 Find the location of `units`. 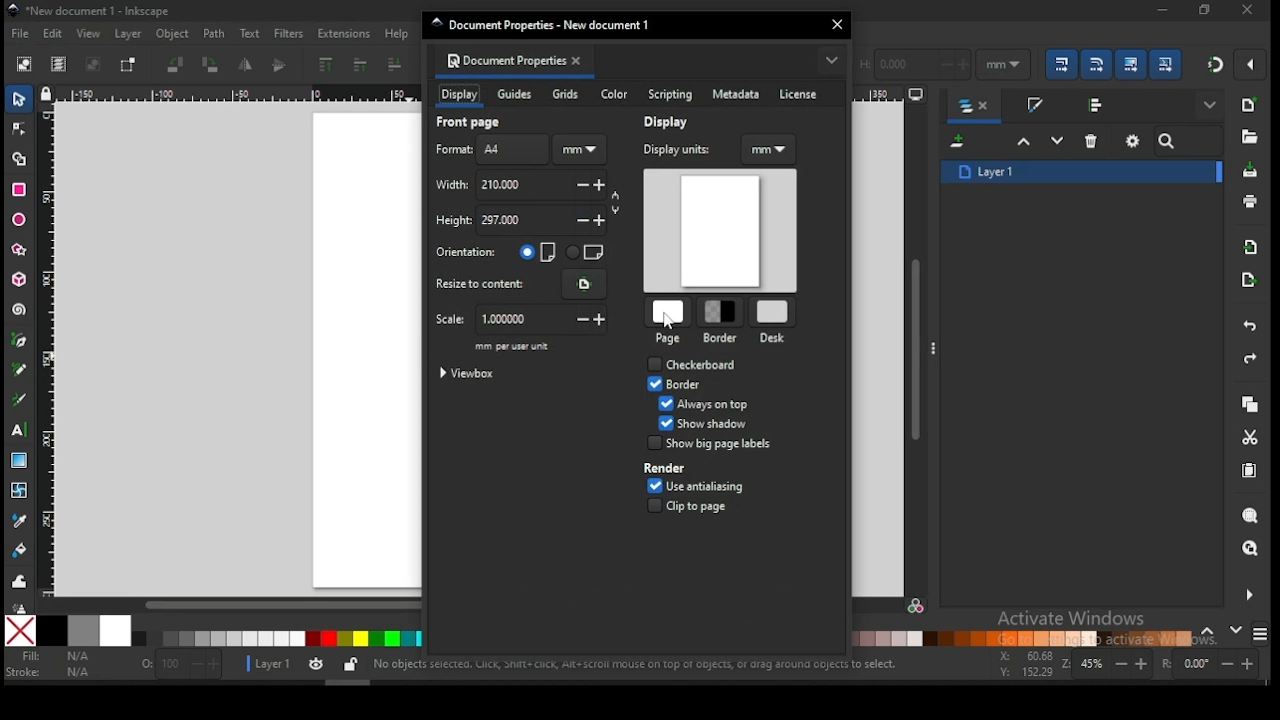

units is located at coordinates (1004, 65).